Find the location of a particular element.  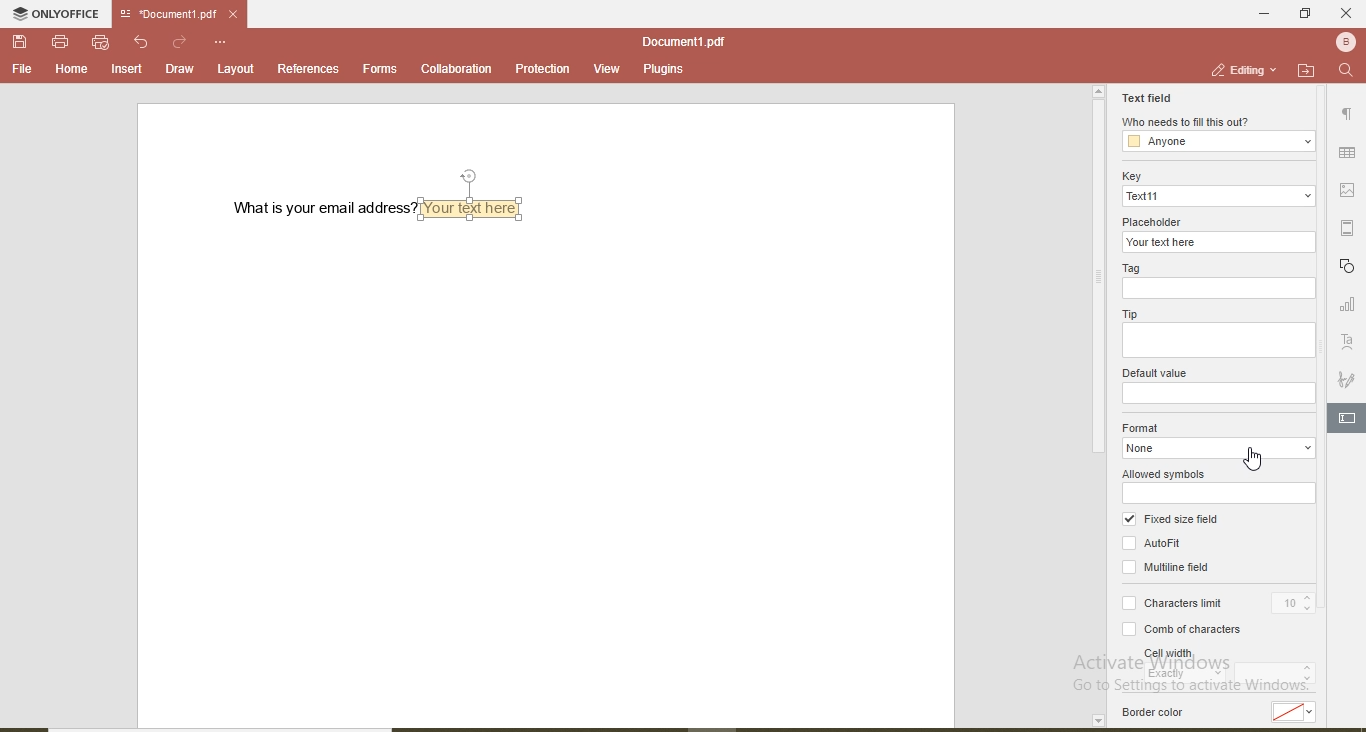

draw is located at coordinates (178, 68).